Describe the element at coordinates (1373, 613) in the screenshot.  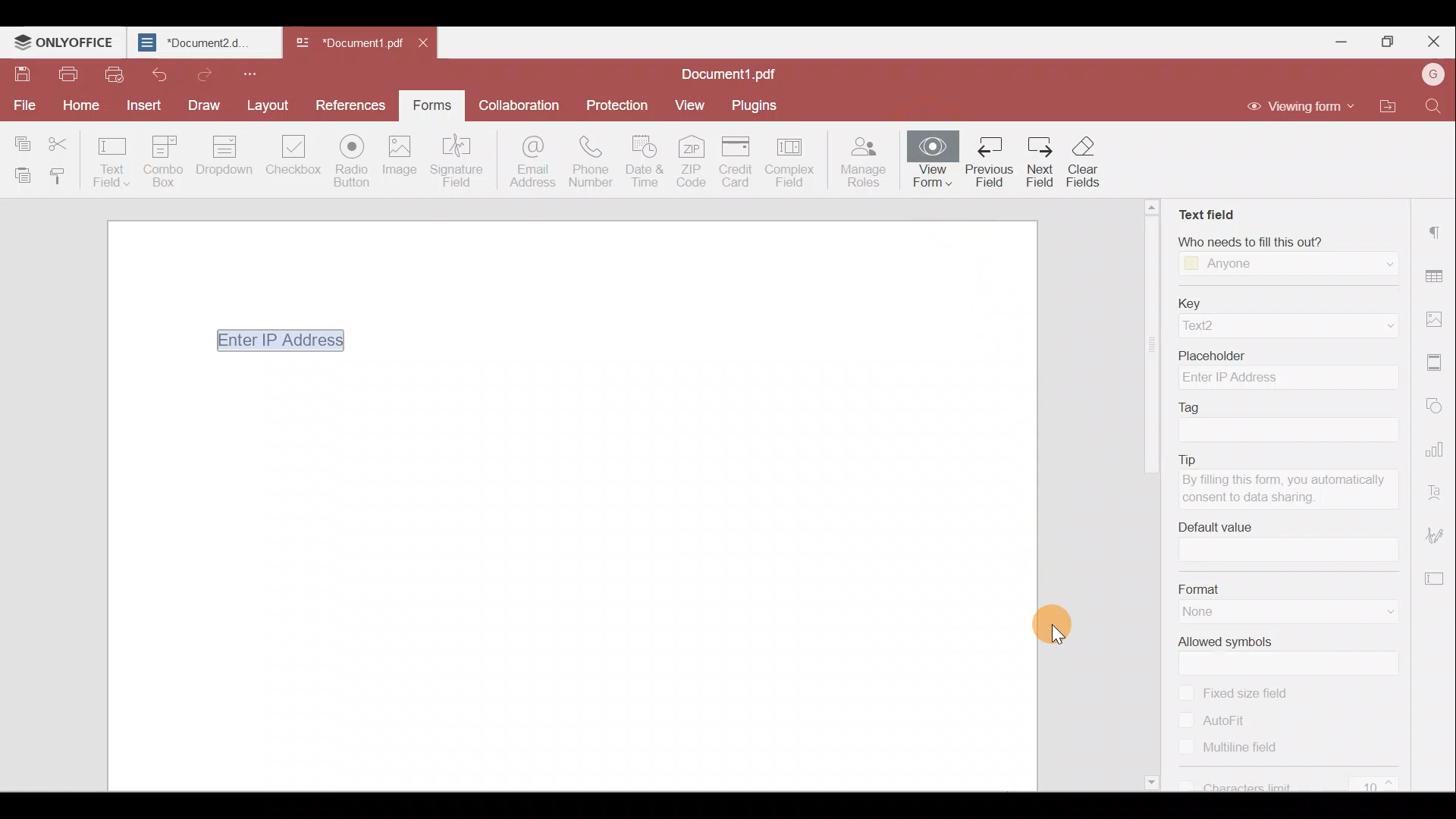
I see `Format dropdown` at that location.